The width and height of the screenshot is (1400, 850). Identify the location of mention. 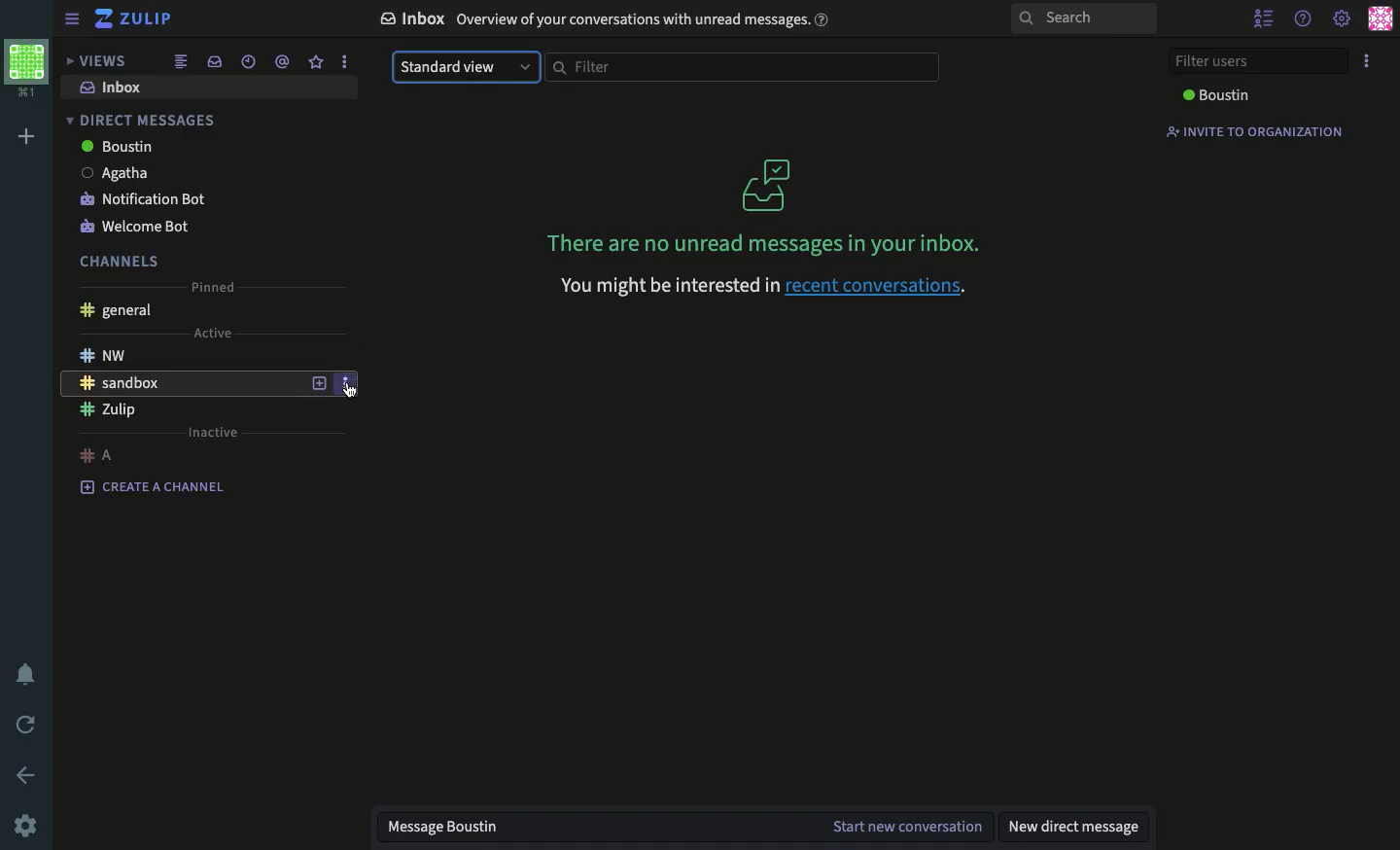
(282, 61).